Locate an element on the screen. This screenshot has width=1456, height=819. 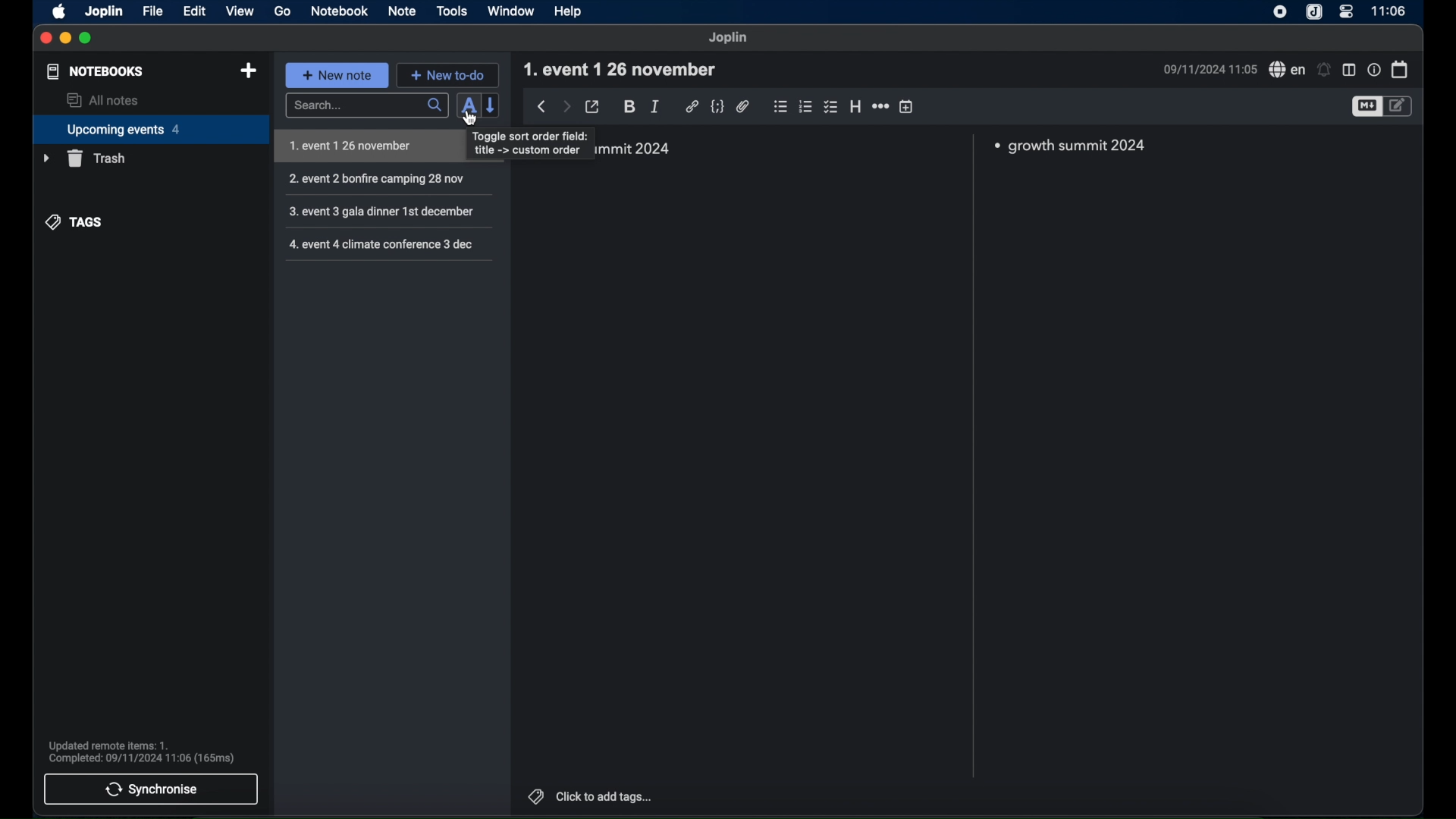
growth summit 2024 is located at coordinates (1075, 146).